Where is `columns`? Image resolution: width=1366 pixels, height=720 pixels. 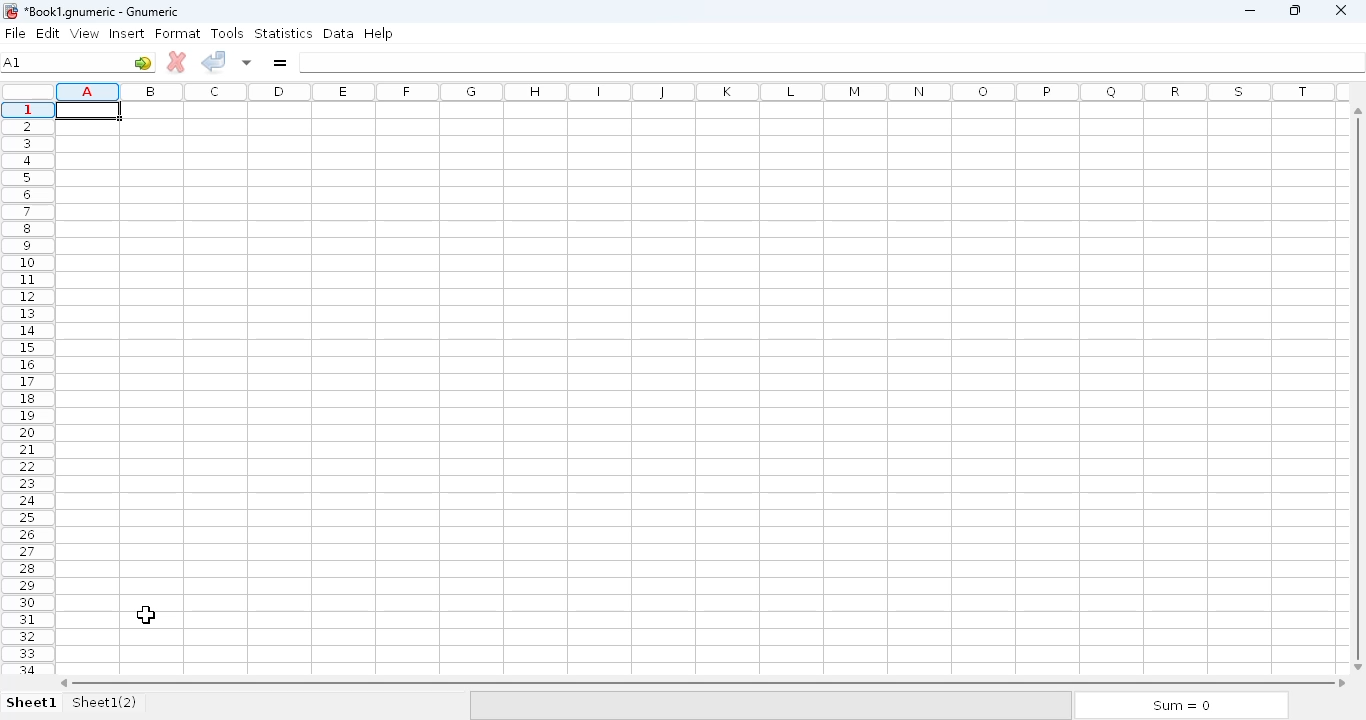
columns is located at coordinates (703, 91).